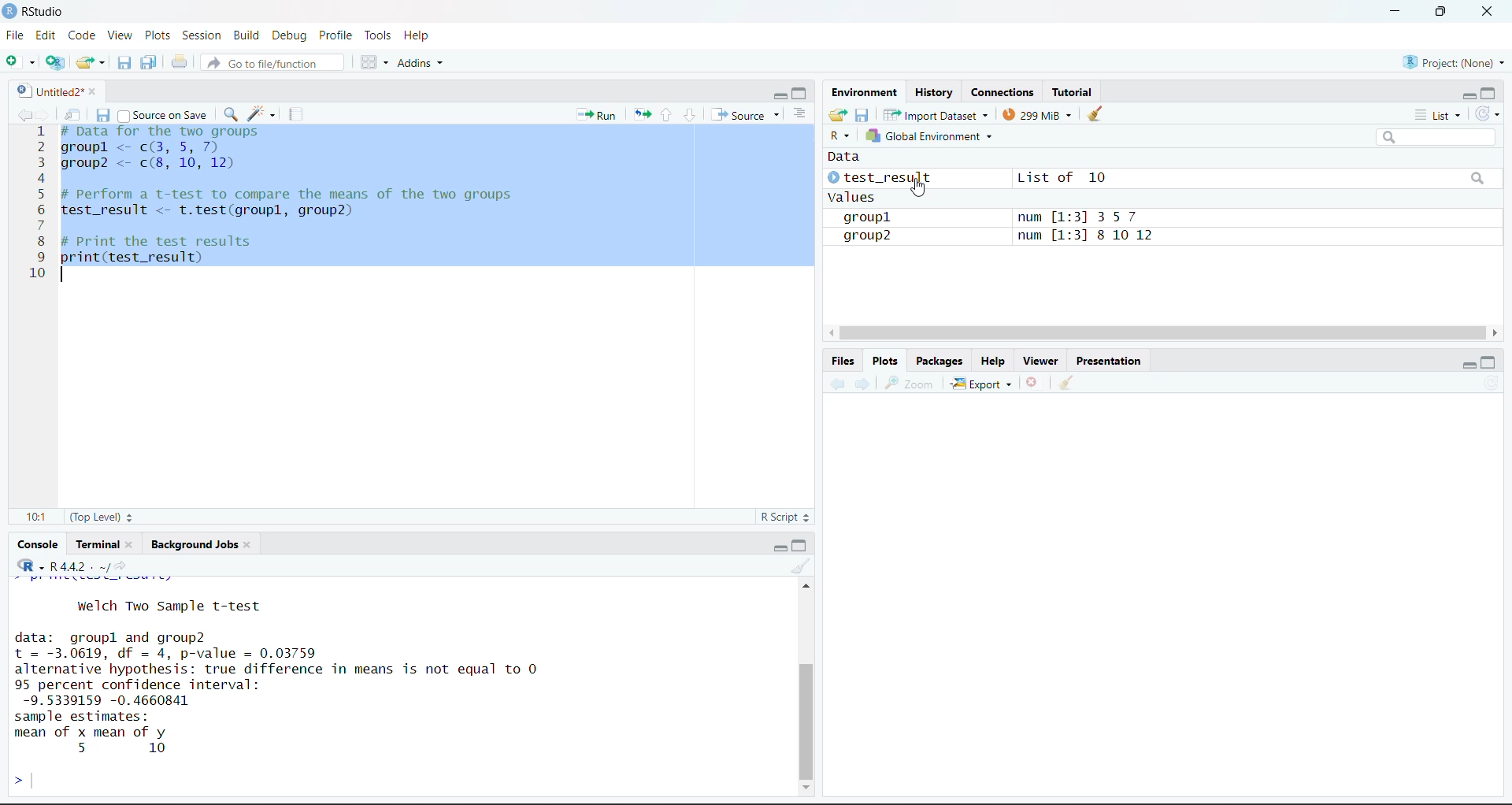 Image resolution: width=1512 pixels, height=805 pixels. Describe the element at coordinates (124, 61) in the screenshot. I see `save current document` at that location.